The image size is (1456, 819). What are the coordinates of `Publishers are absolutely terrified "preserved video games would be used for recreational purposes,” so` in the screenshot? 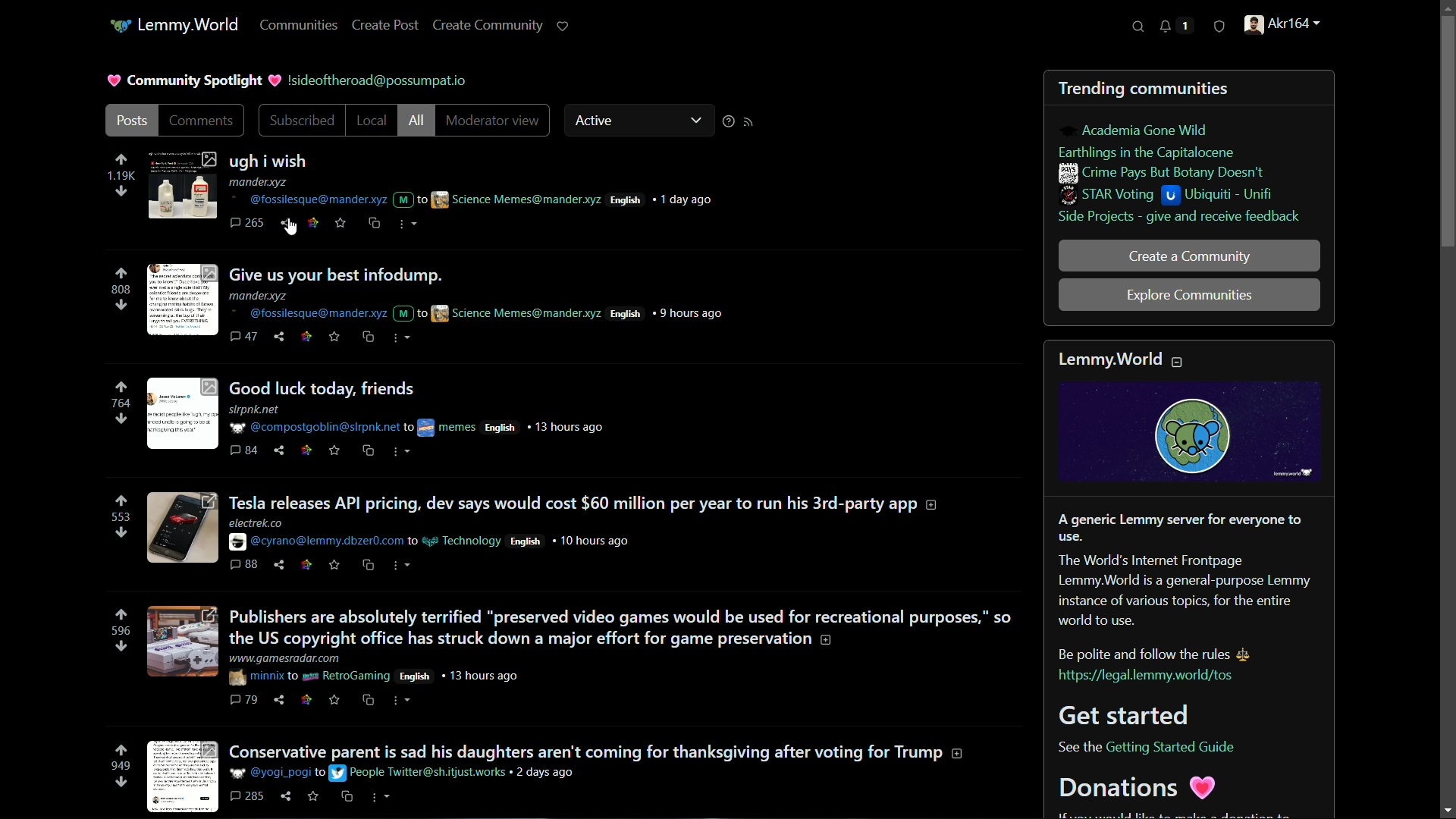 It's located at (621, 617).